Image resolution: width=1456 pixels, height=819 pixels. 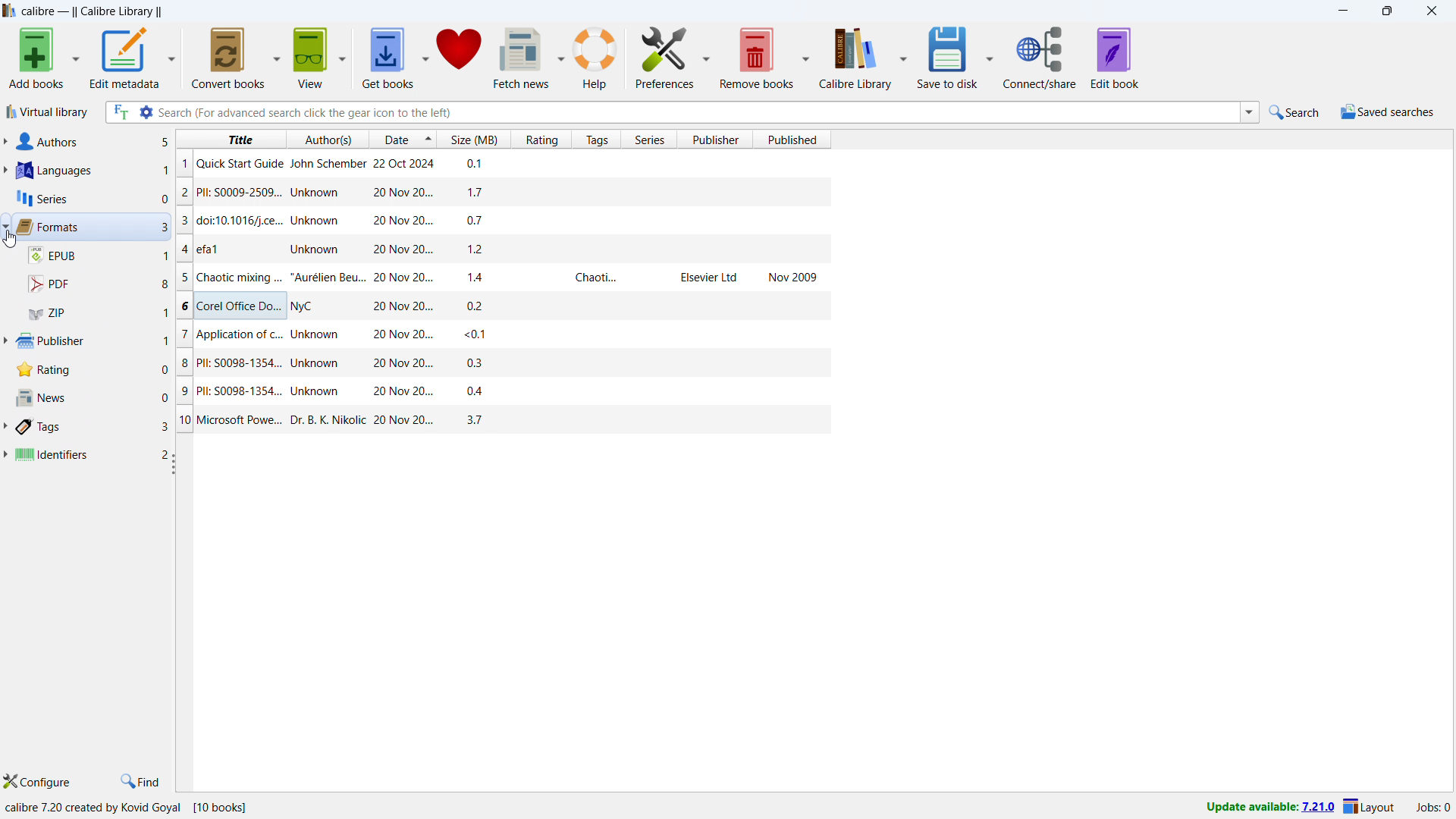 What do you see at coordinates (124, 58) in the screenshot?
I see `edit metadata` at bounding box center [124, 58].